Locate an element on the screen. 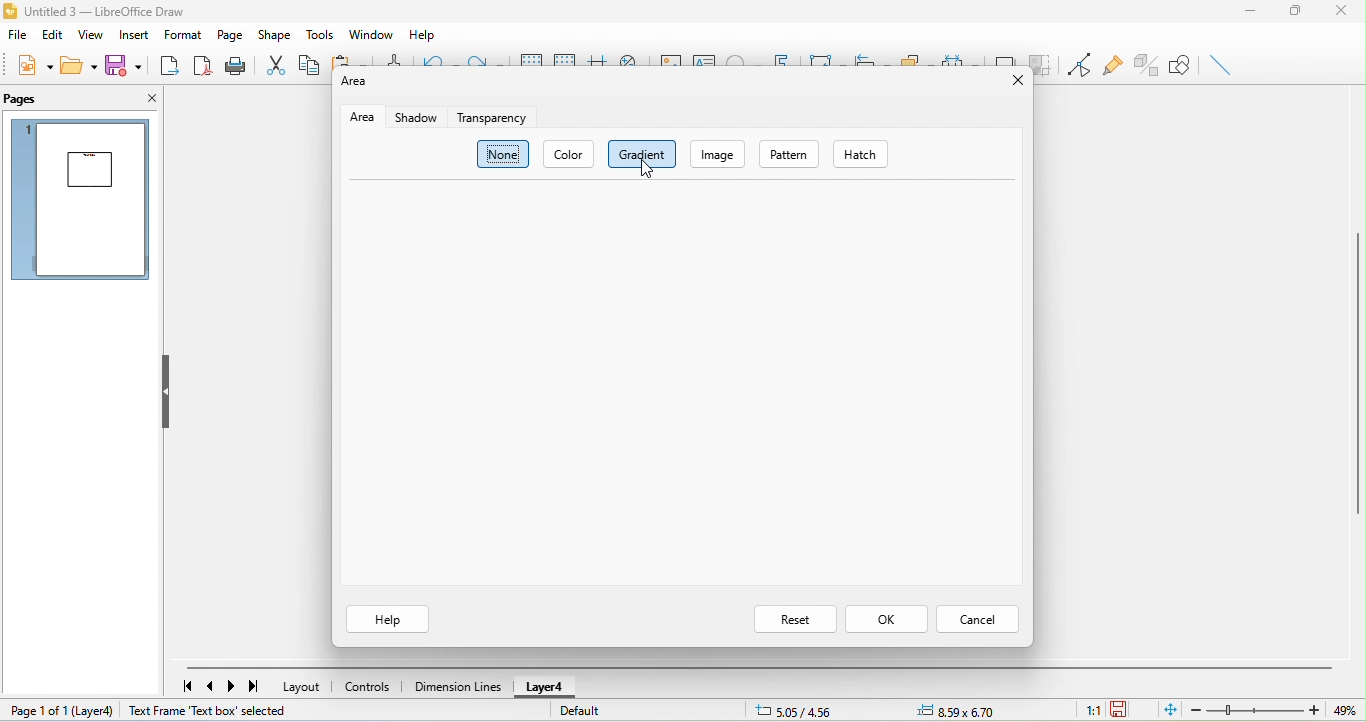 The width and height of the screenshot is (1366, 722). shadow is located at coordinates (417, 116).